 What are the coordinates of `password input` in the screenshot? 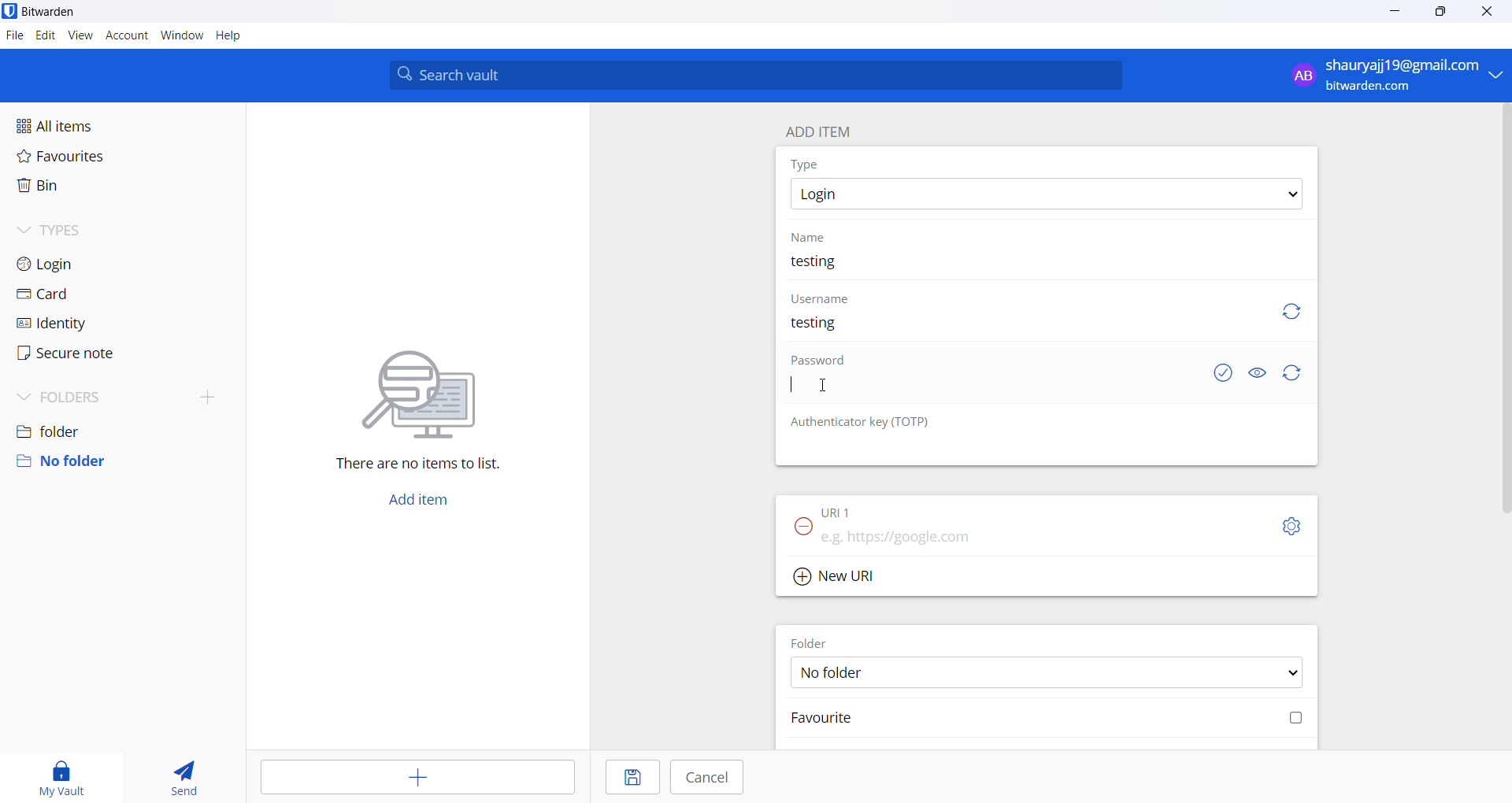 It's located at (994, 391).